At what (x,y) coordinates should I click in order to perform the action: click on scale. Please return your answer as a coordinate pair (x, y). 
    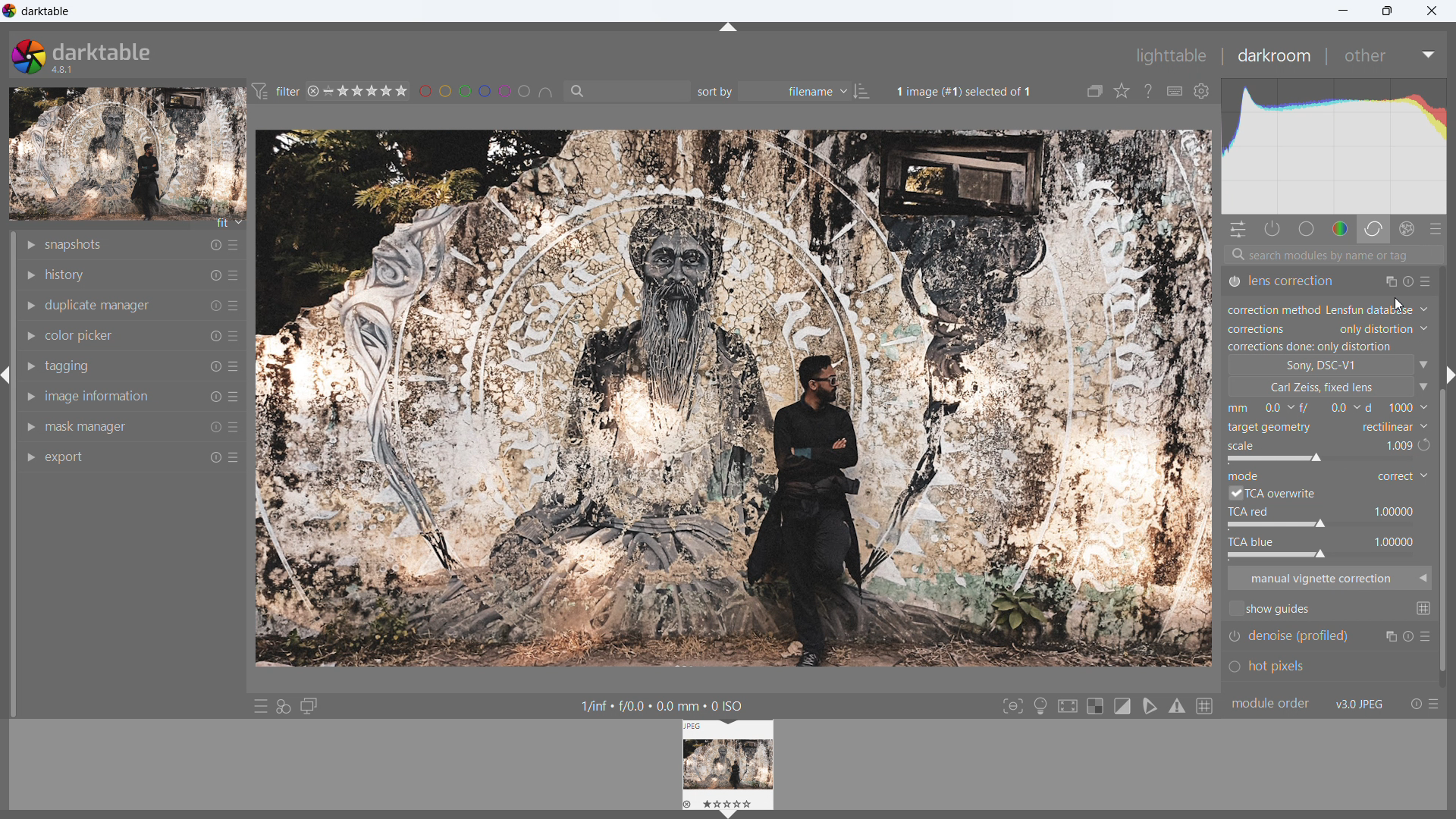
    Looking at the image, I should click on (1319, 451).